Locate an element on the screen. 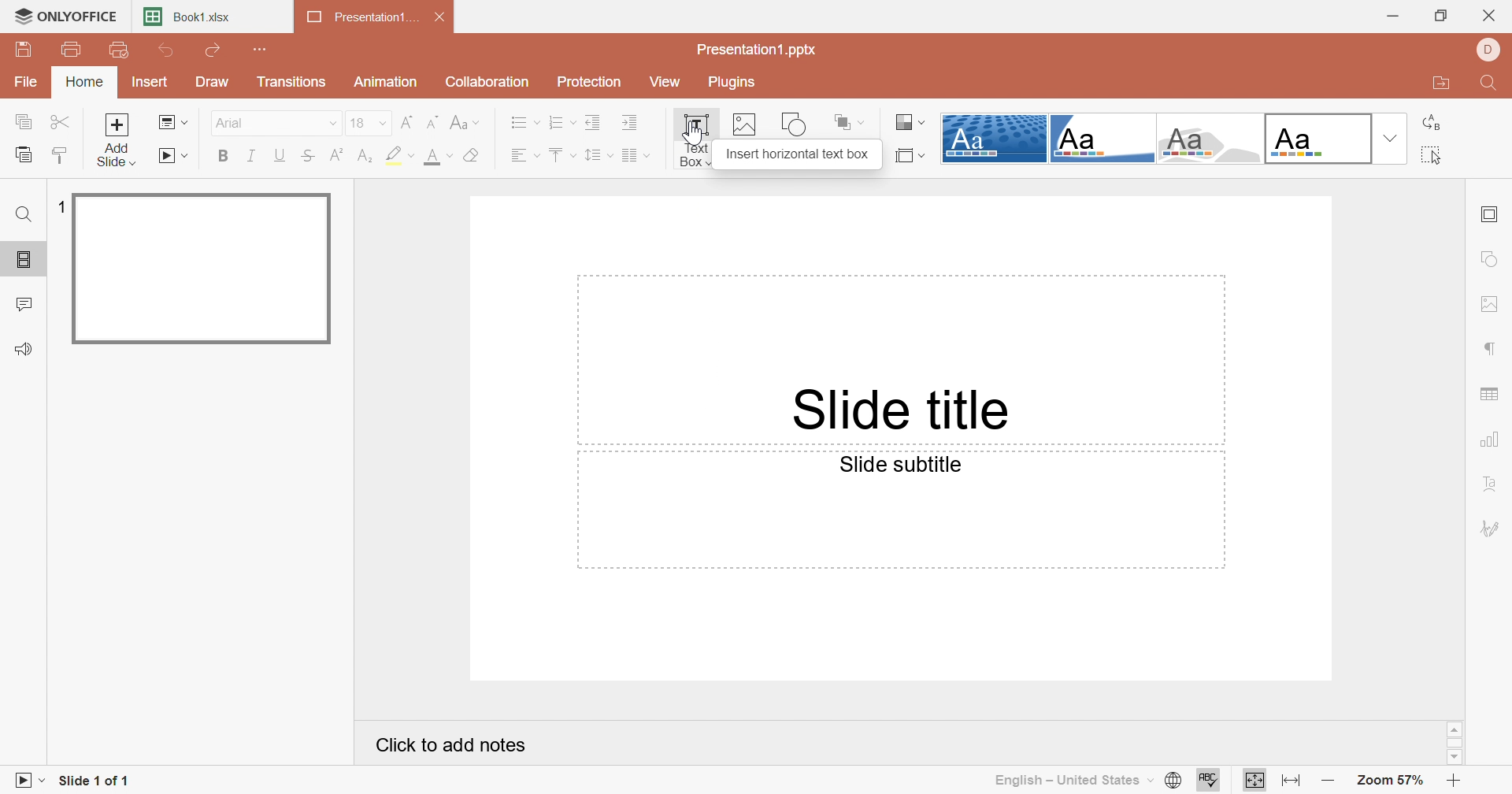 The height and width of the screenshot is (794, 1512). Clear style is located at coordinates (475, 156).